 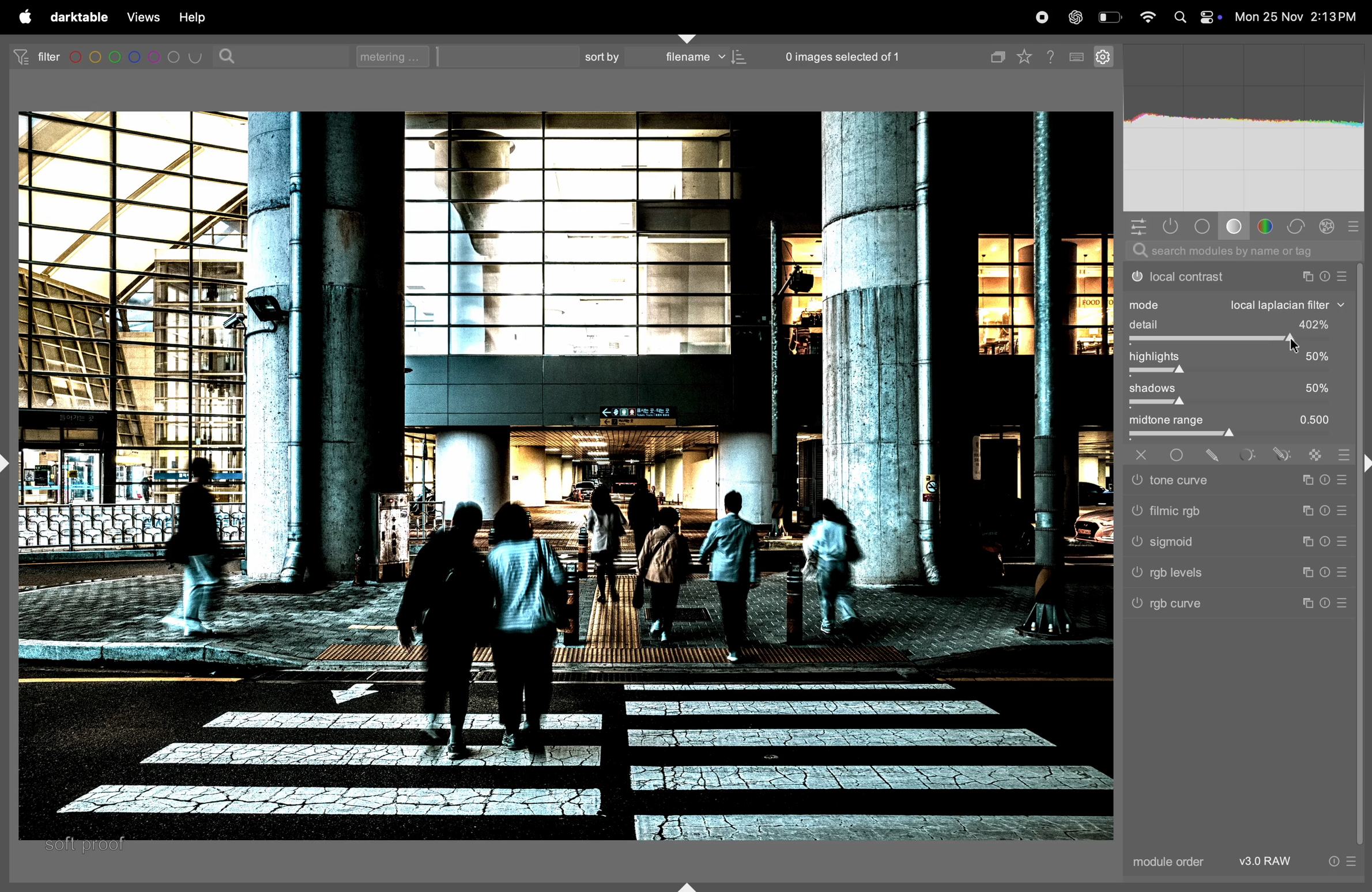 I want to click on 0 images selected of 1, so click(x=843, y=53).